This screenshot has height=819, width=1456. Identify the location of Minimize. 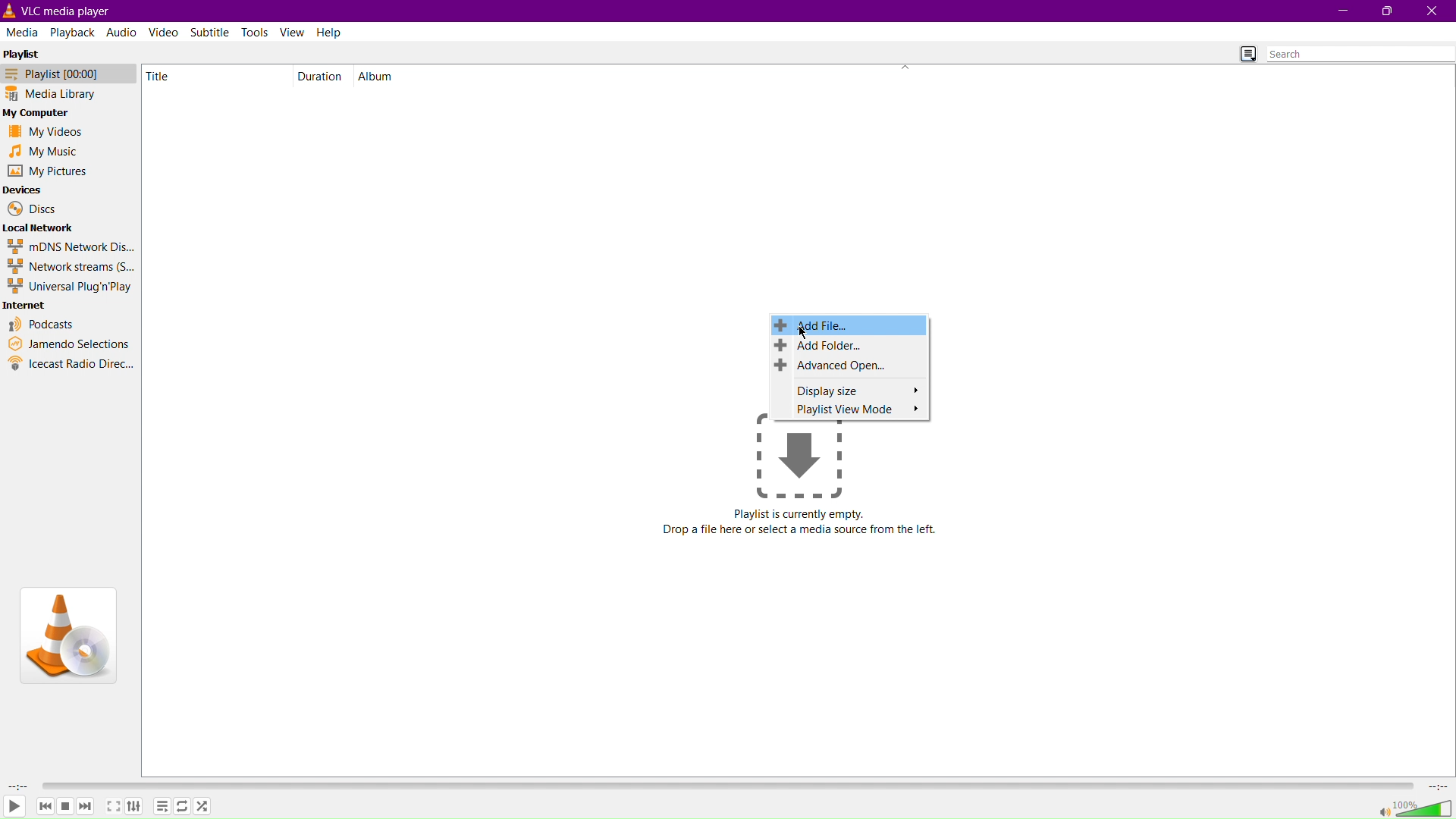
(1340, 11).